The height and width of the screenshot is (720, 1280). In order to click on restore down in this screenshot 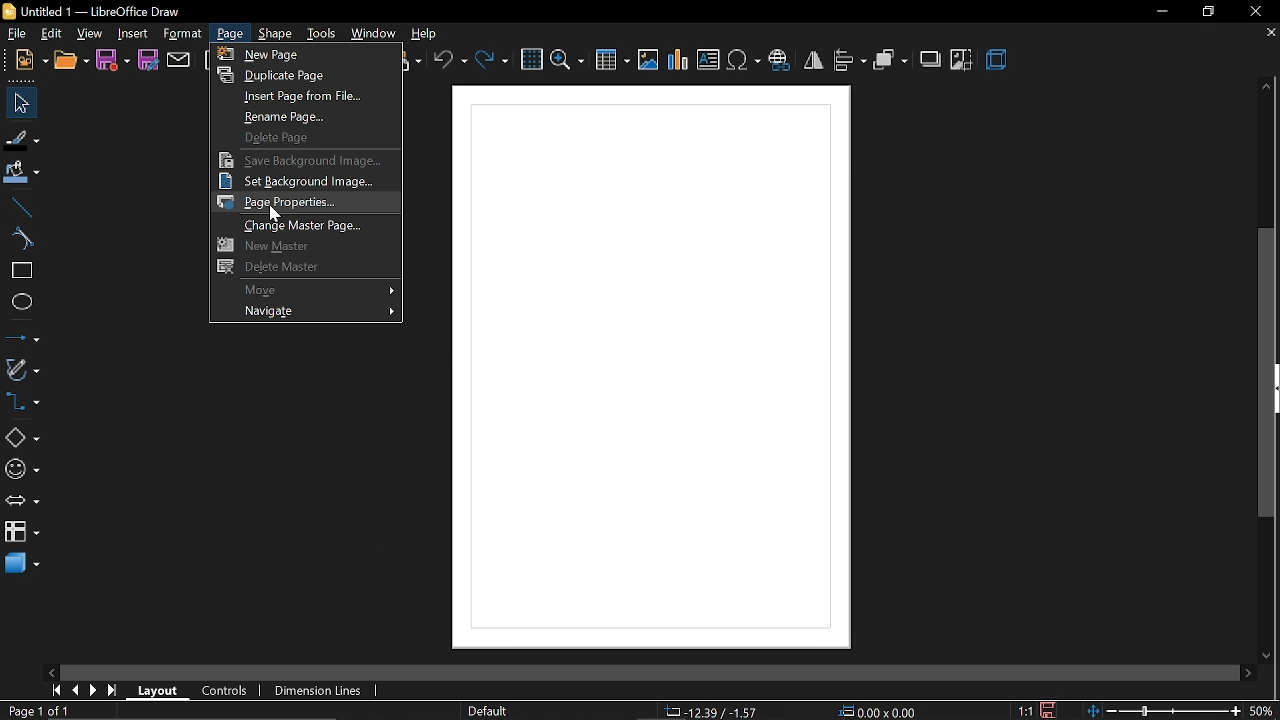, I will do `click(1204, 12)`.